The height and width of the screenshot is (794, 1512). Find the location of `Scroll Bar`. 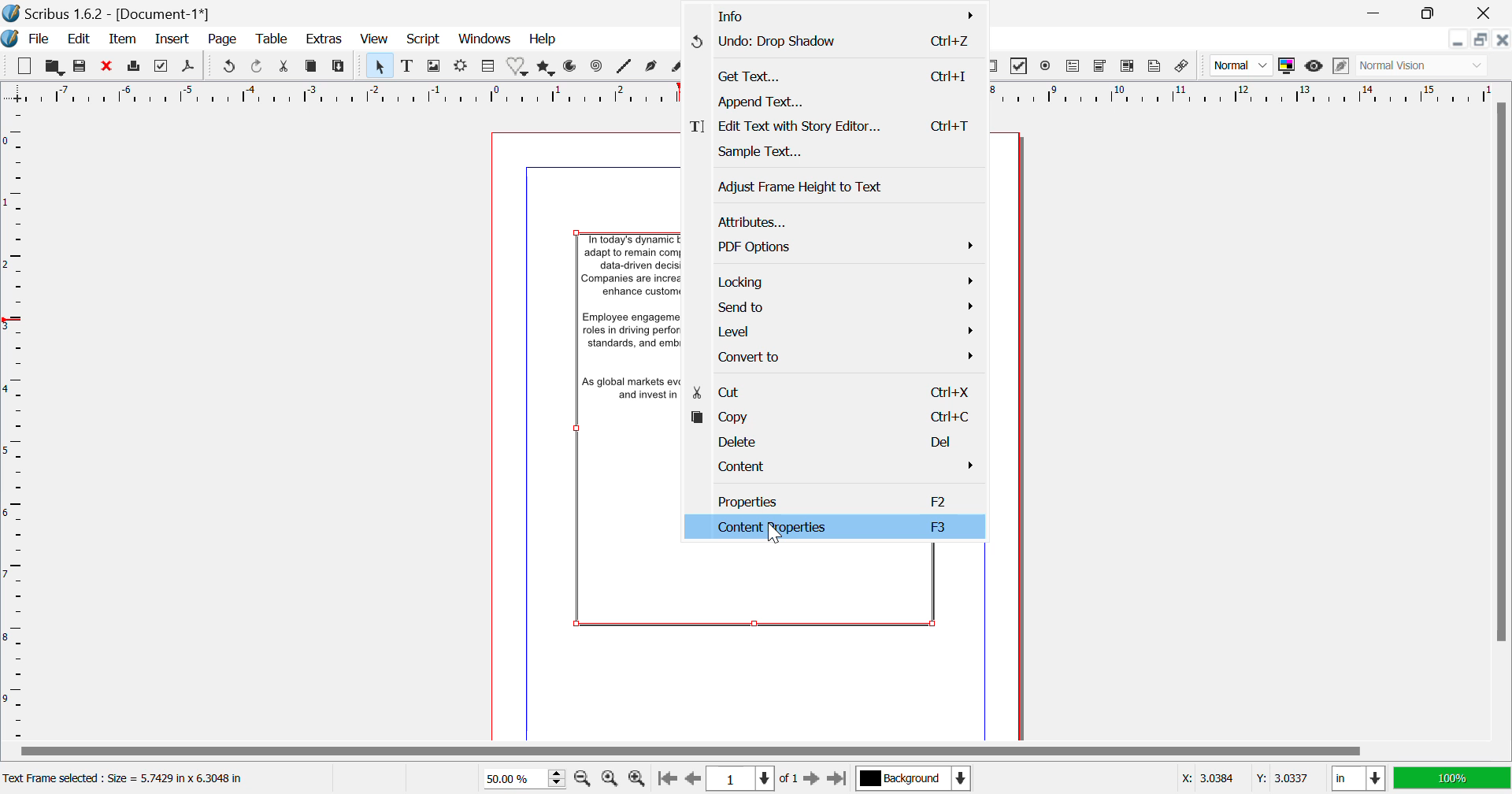

Scroll Bar is located at coordinates (1499, 418).